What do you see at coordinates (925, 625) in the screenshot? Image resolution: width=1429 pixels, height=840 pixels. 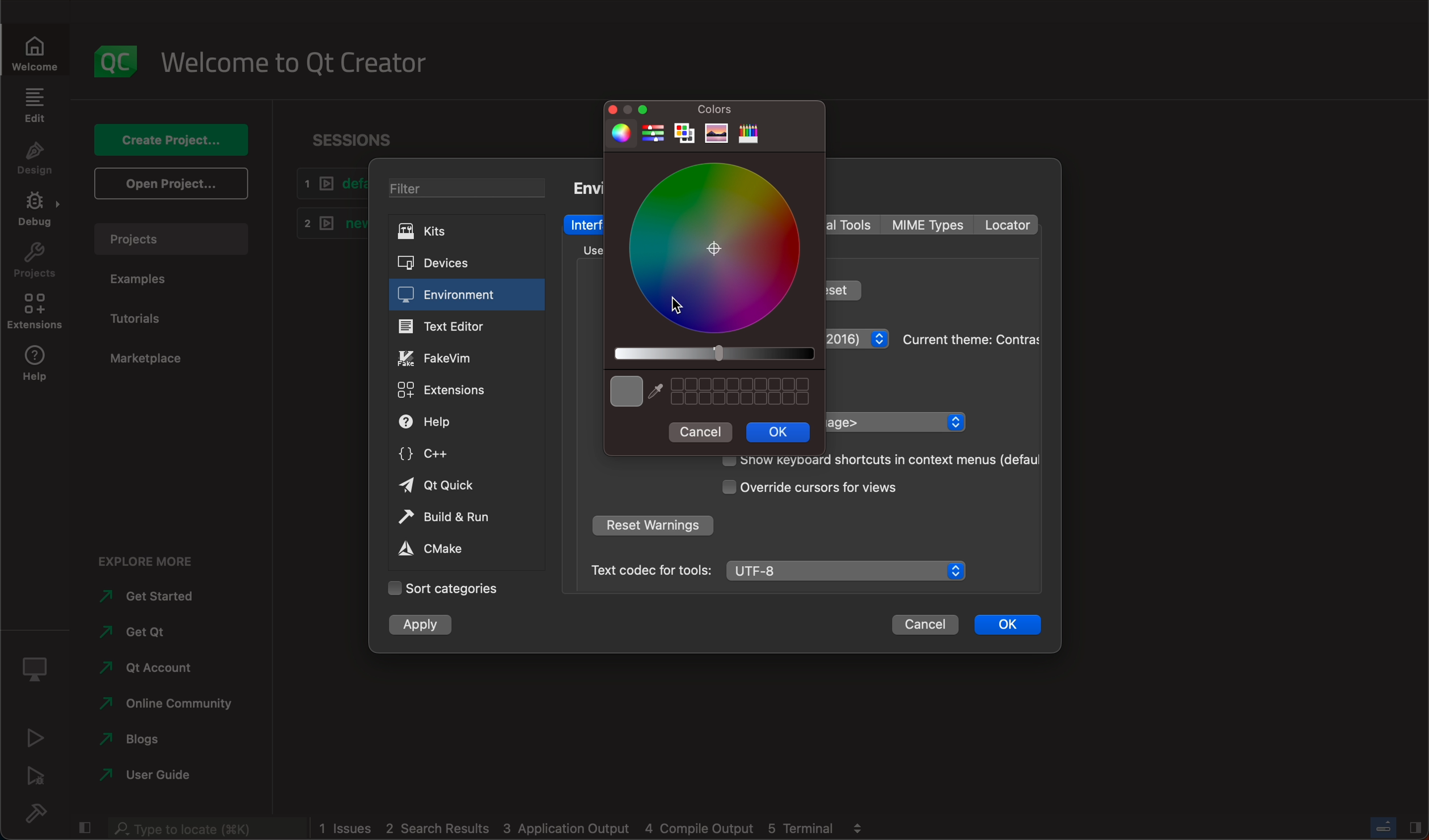 I see `cancel` at bounding box center [925, 625].